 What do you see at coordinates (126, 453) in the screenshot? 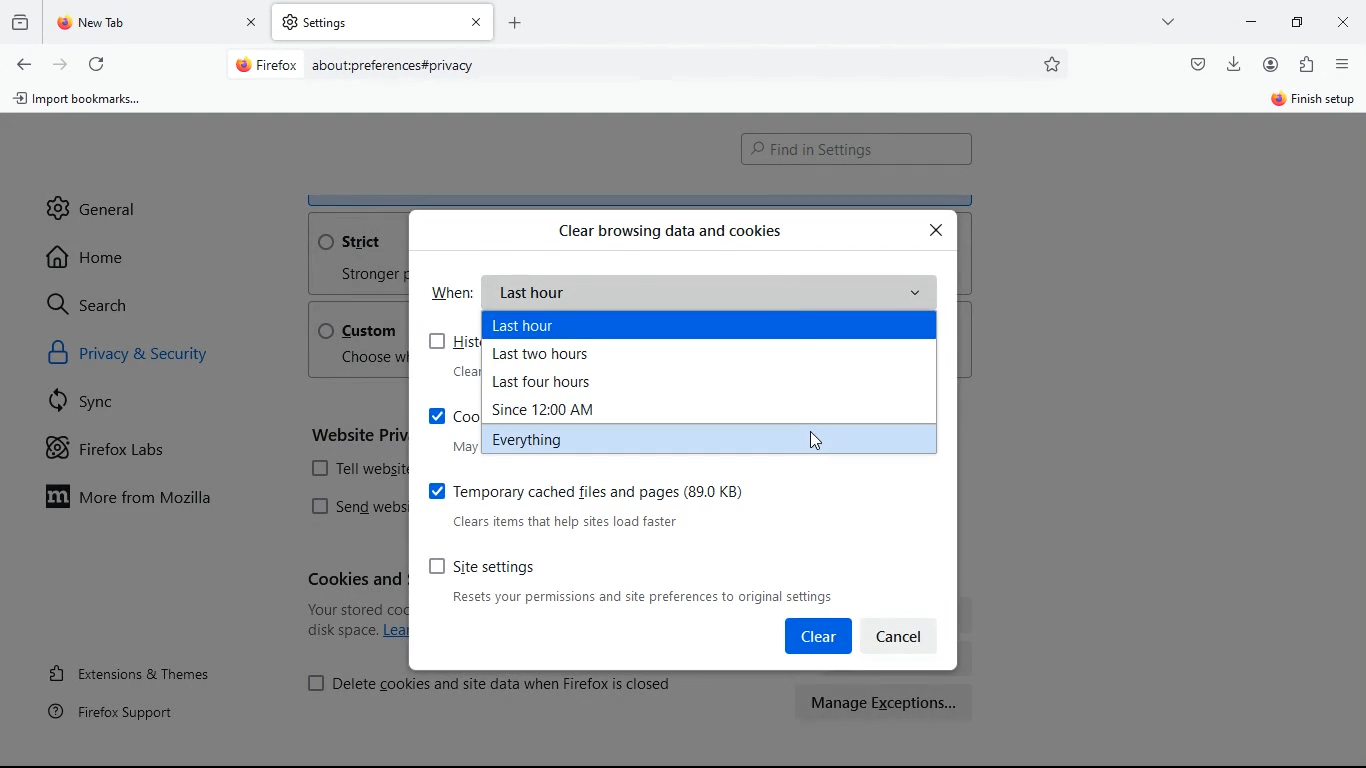
I see `firefox labs` at bounding box center [126, 453].